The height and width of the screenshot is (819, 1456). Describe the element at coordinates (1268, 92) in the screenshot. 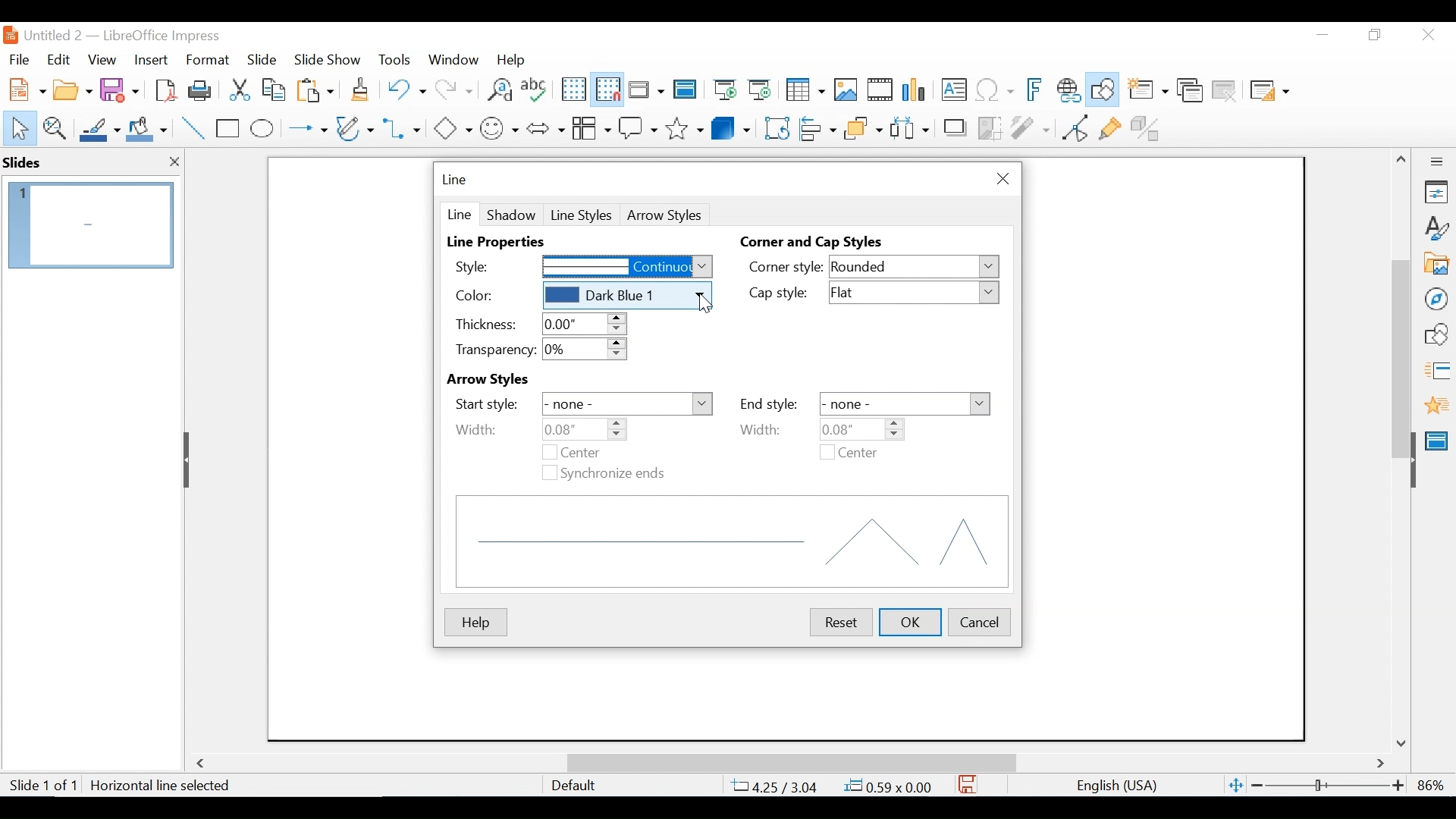

I see `Slide Layout` at that location.